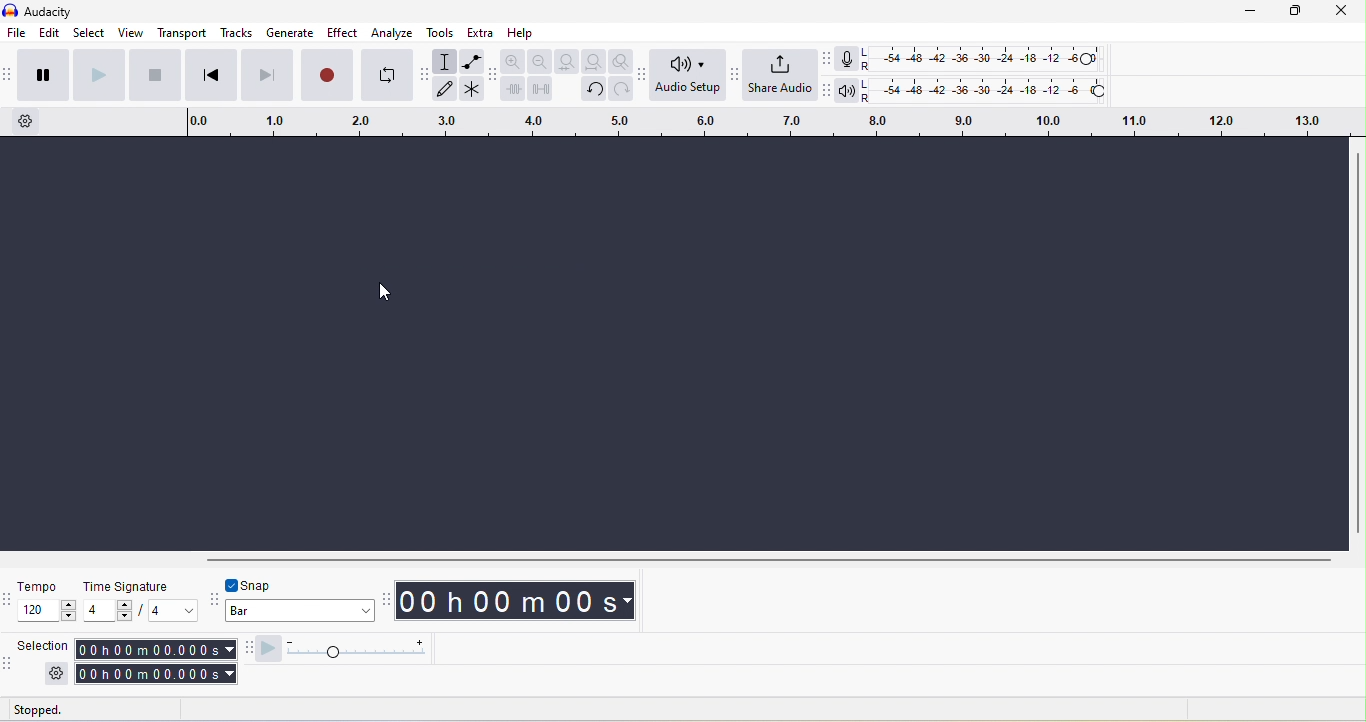  I want to click on share audio, so click(768, 74).